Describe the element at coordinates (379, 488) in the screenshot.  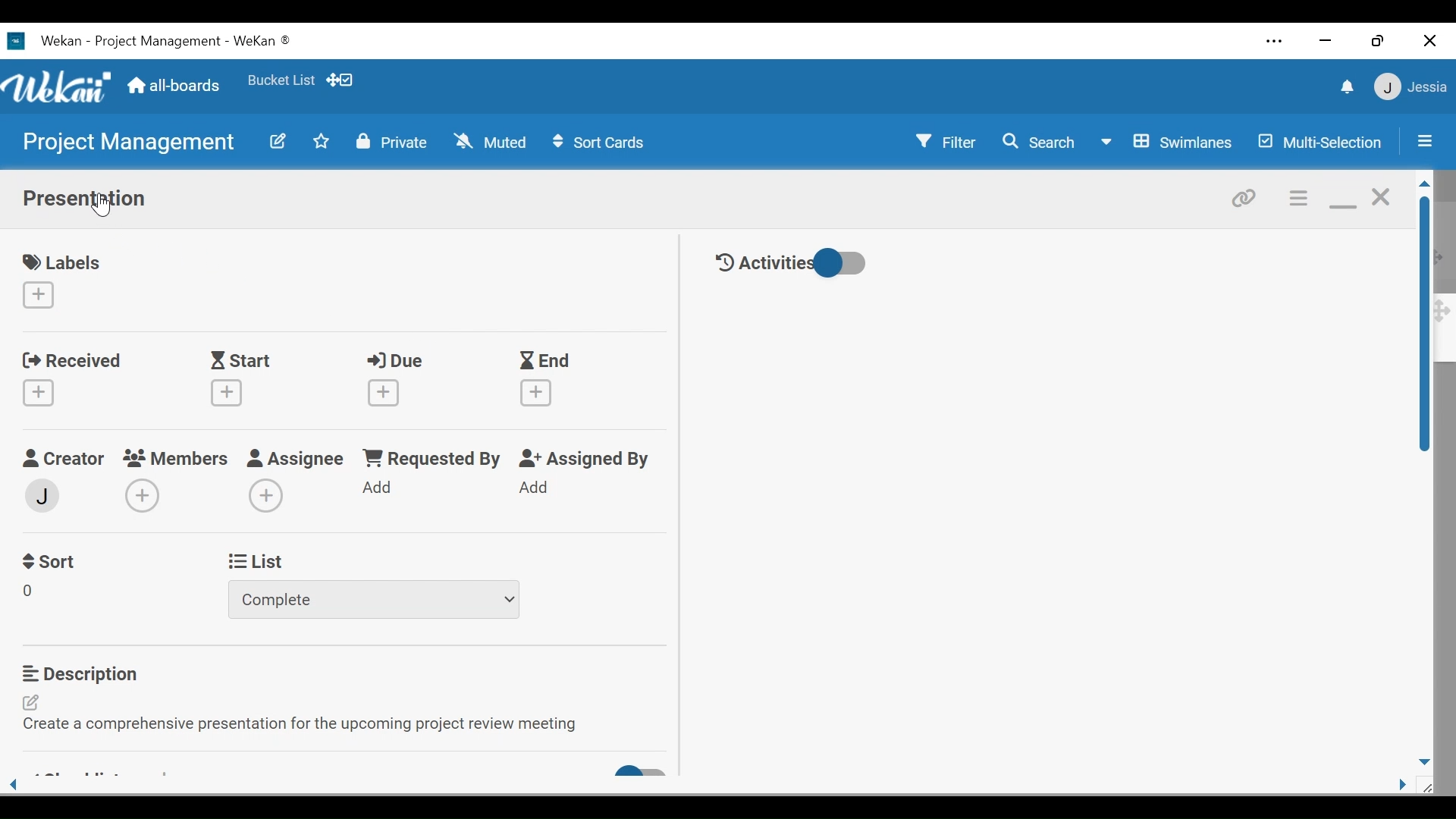
I see `Add Requested by` at that location.